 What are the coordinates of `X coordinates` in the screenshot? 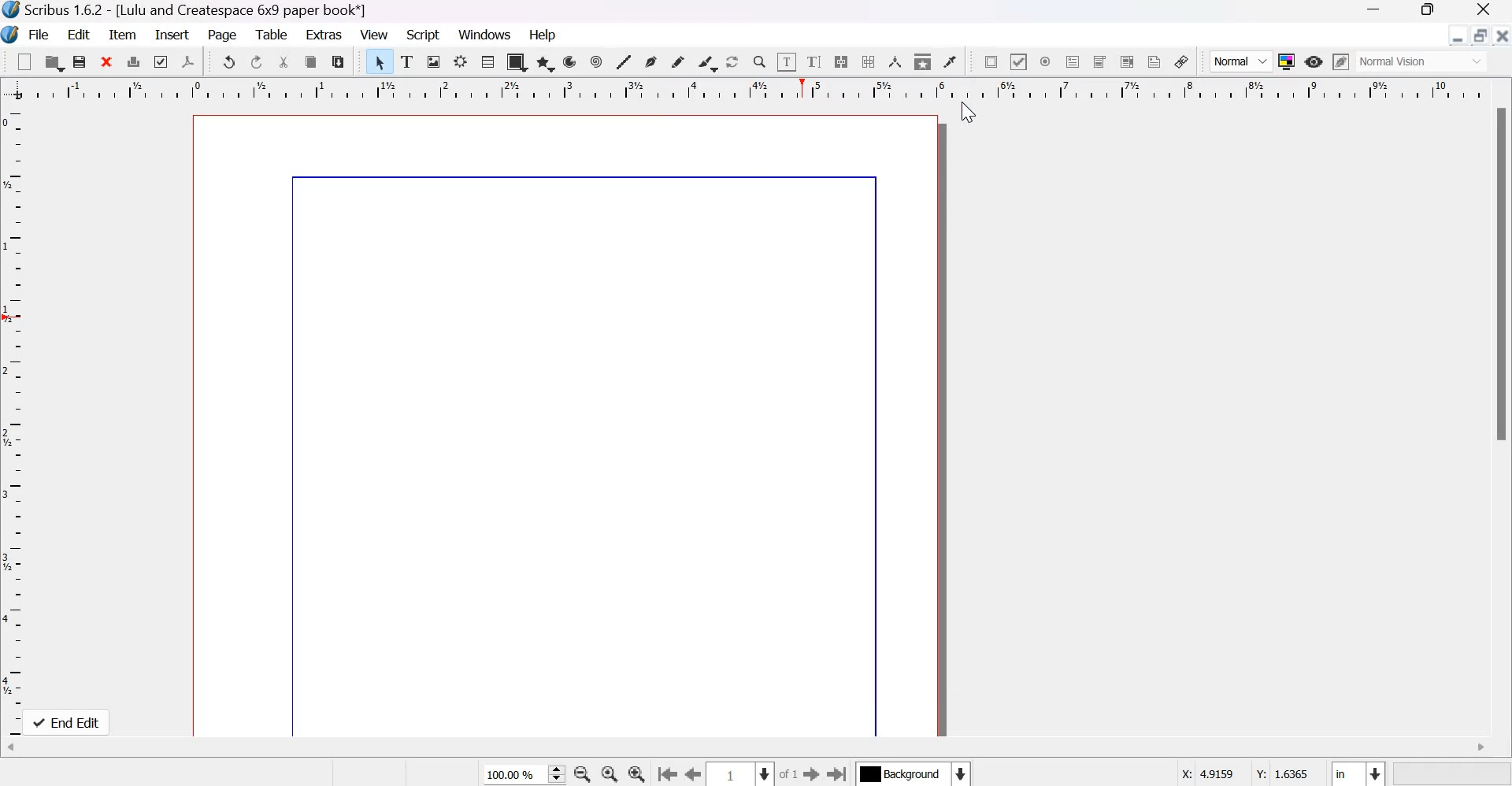 It's located at (1209, 775).